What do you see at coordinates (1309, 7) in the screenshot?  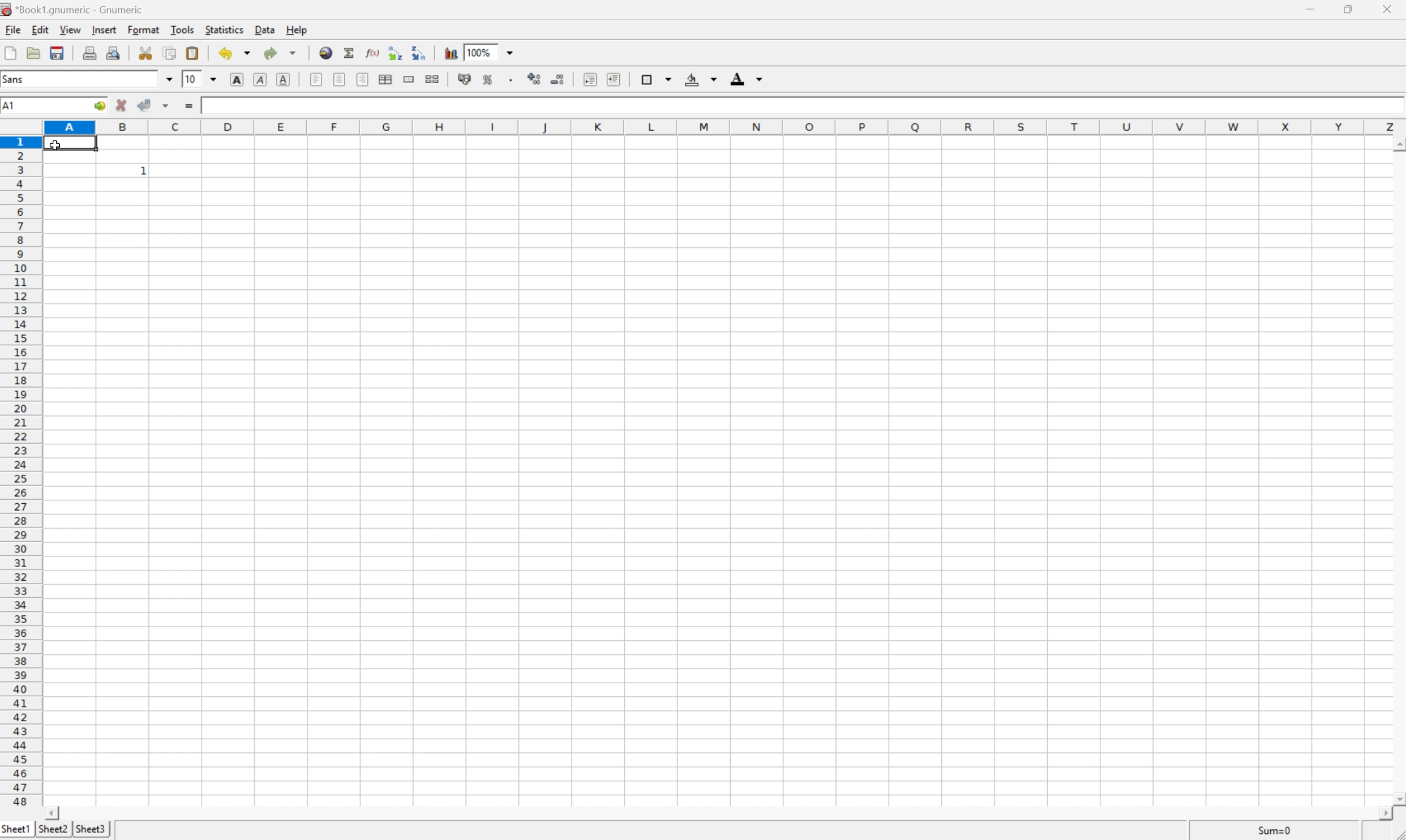 I see `minimize` at bounding box center [1309, 7].